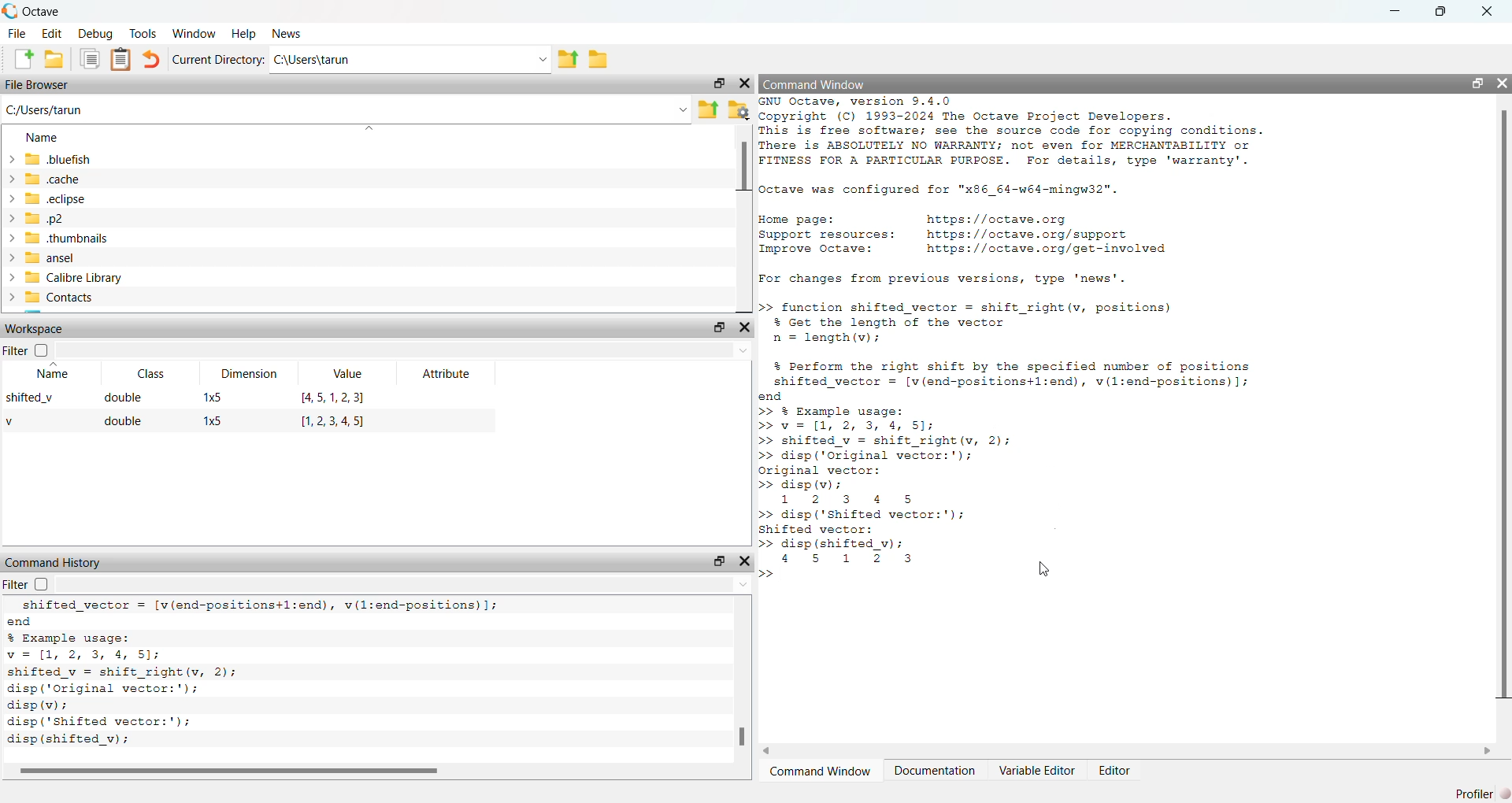  Describe the element at coordinates (132, 279) in the screenshot. I see `calibre library` at that location.